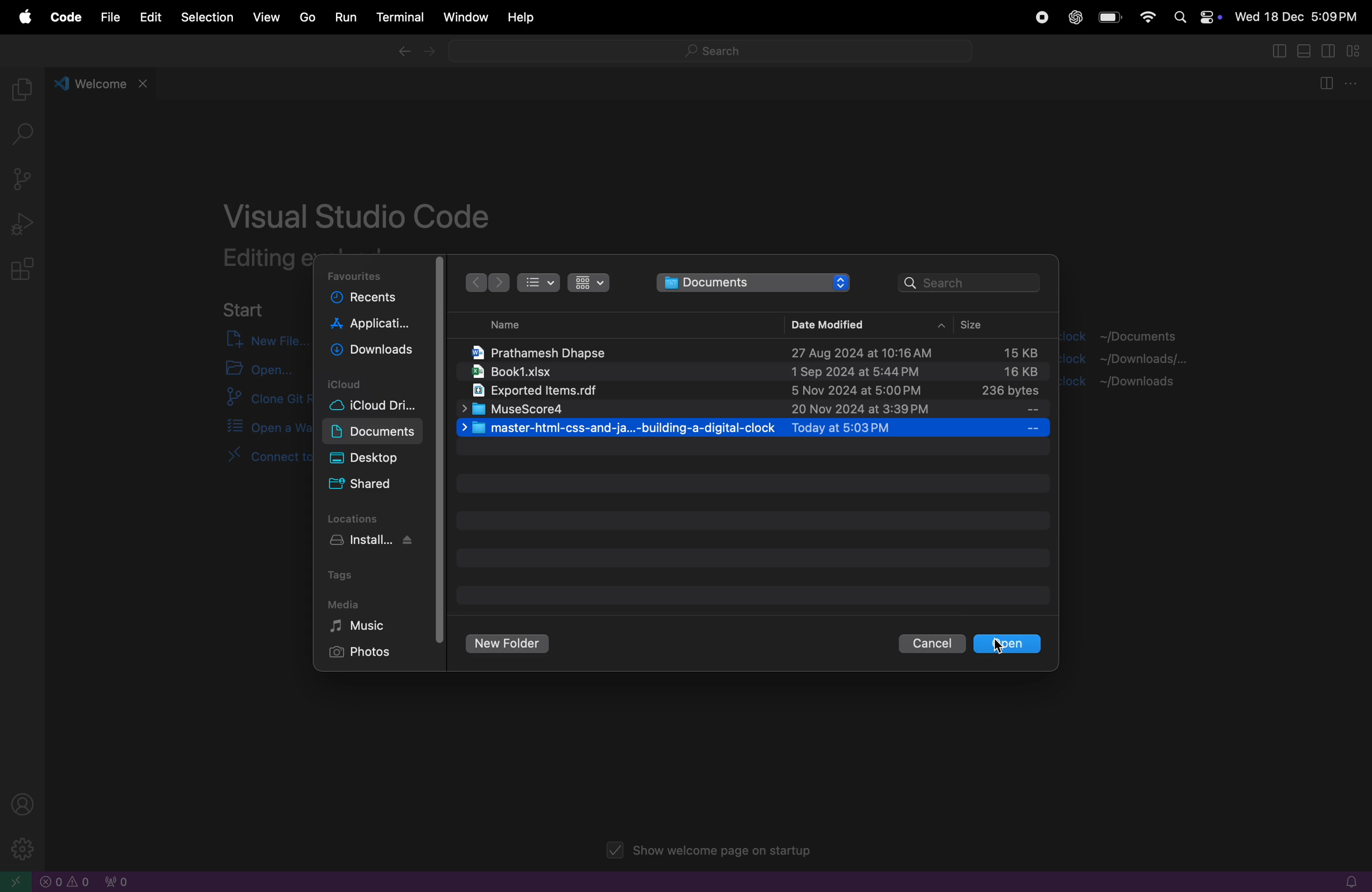 The width and height of the screenshot is (1372, 892). Describe the element at coordinates (27, 803) in the screenshot. I see `profile` at that location.